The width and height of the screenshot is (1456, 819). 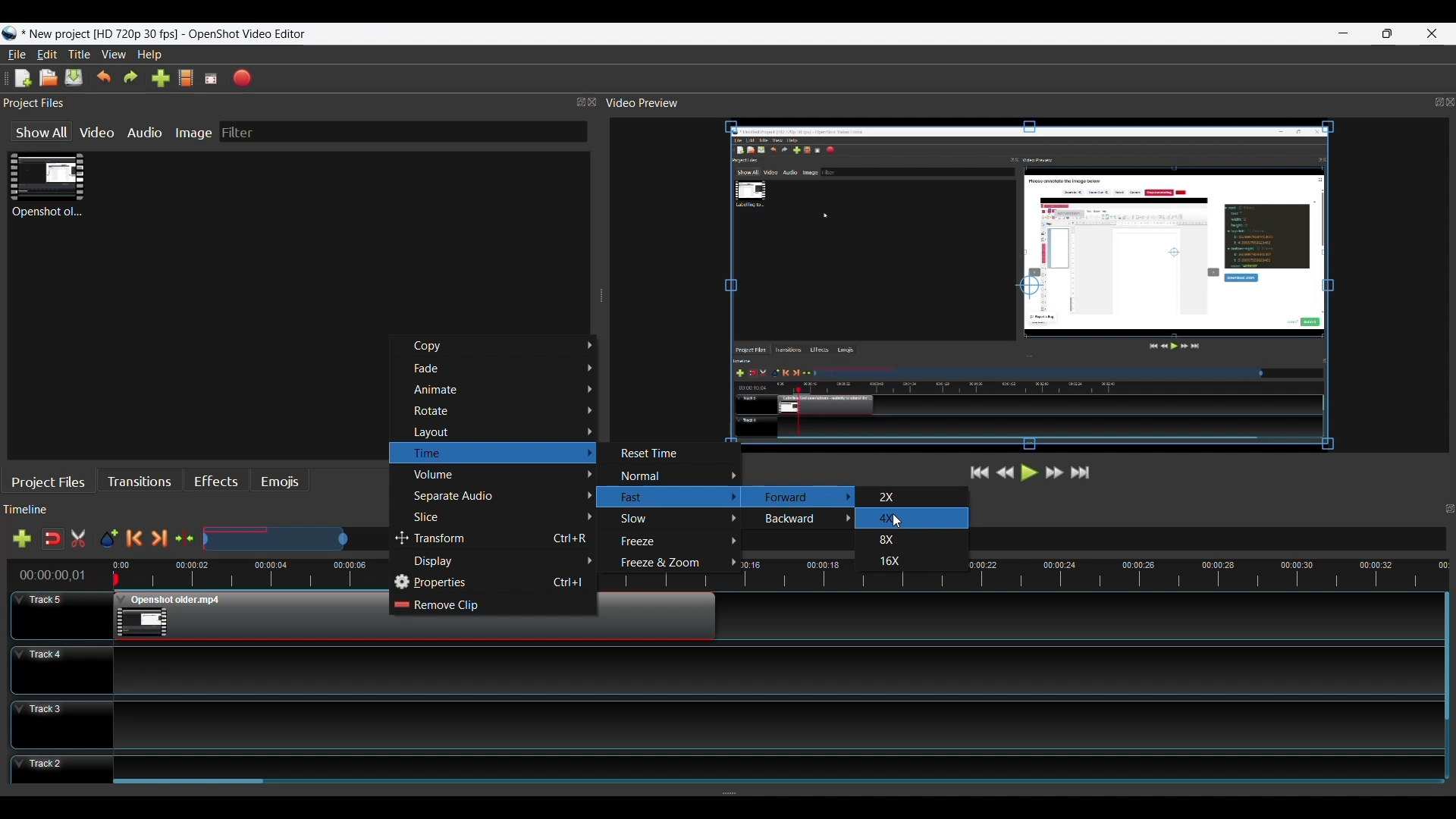 What do you see at coordinates (192, 785) in the screenshot?
I see `Horizontal Scroll bar` at bounding box center [192, 785].